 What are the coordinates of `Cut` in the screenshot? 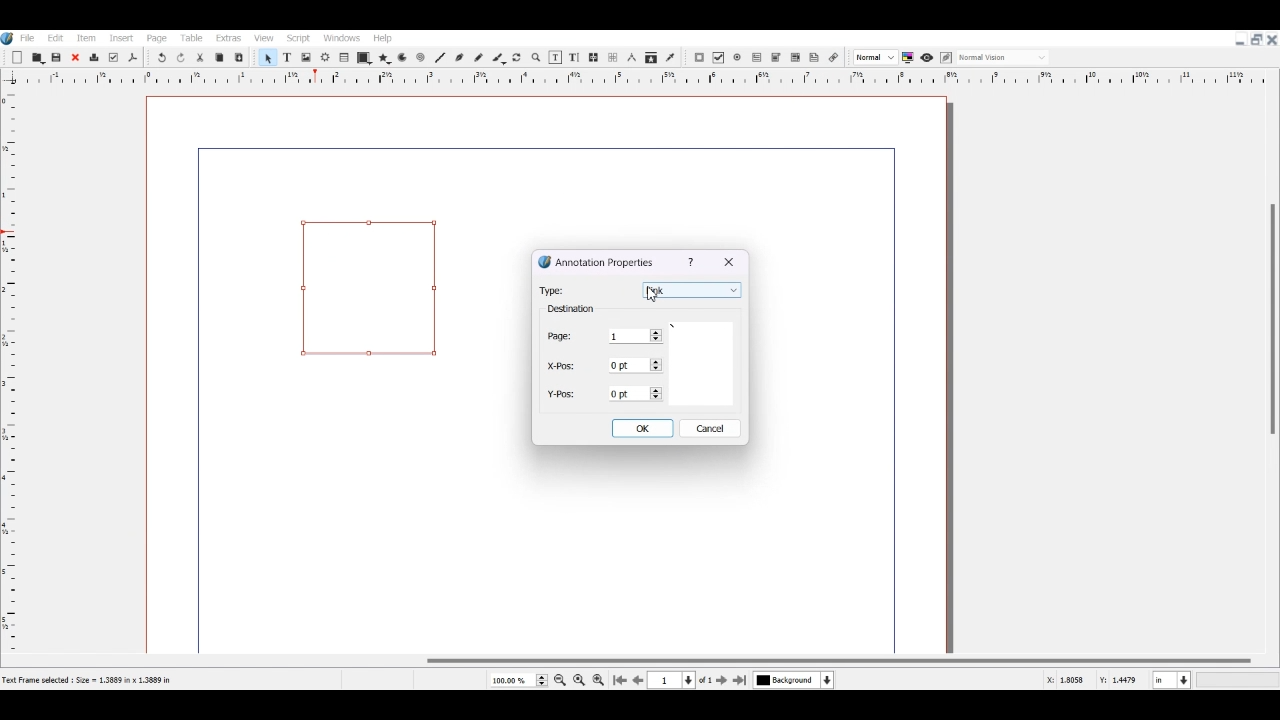 It's located at (200, 57).